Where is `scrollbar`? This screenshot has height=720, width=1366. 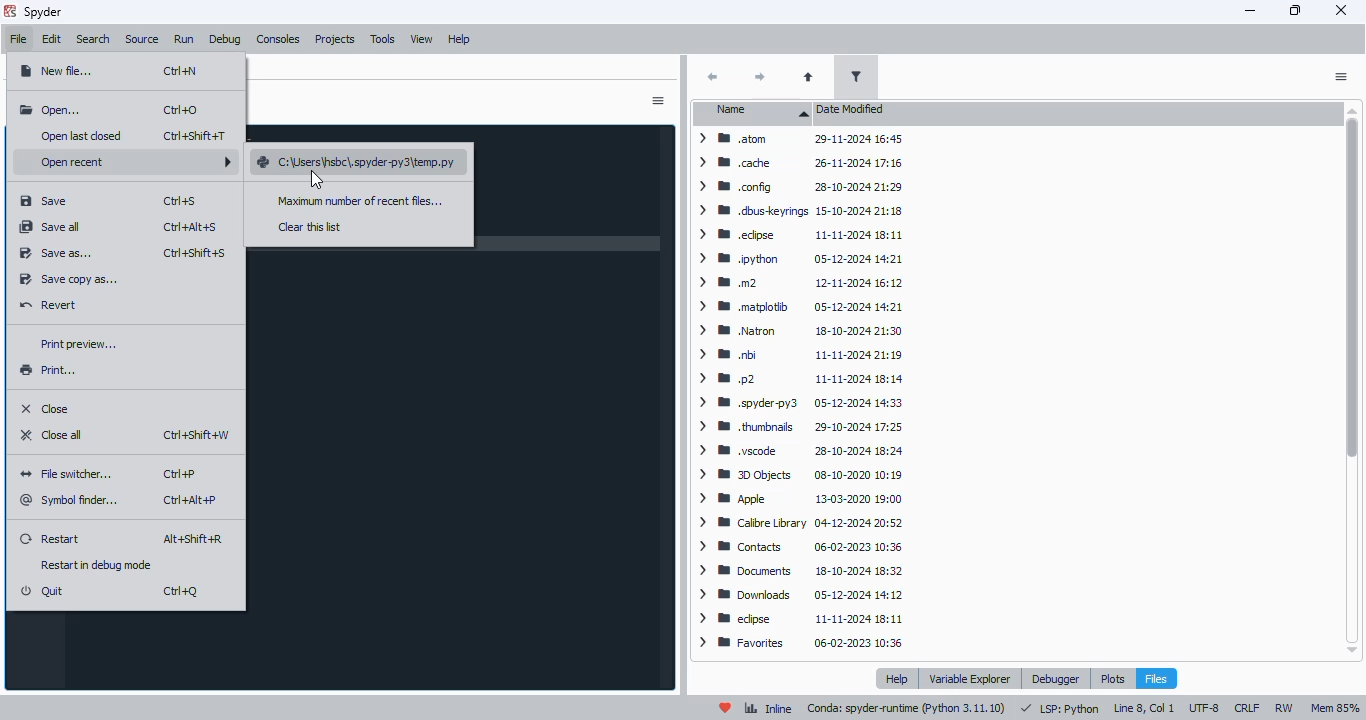
scrollbar is located at coordinates (1352, 381).